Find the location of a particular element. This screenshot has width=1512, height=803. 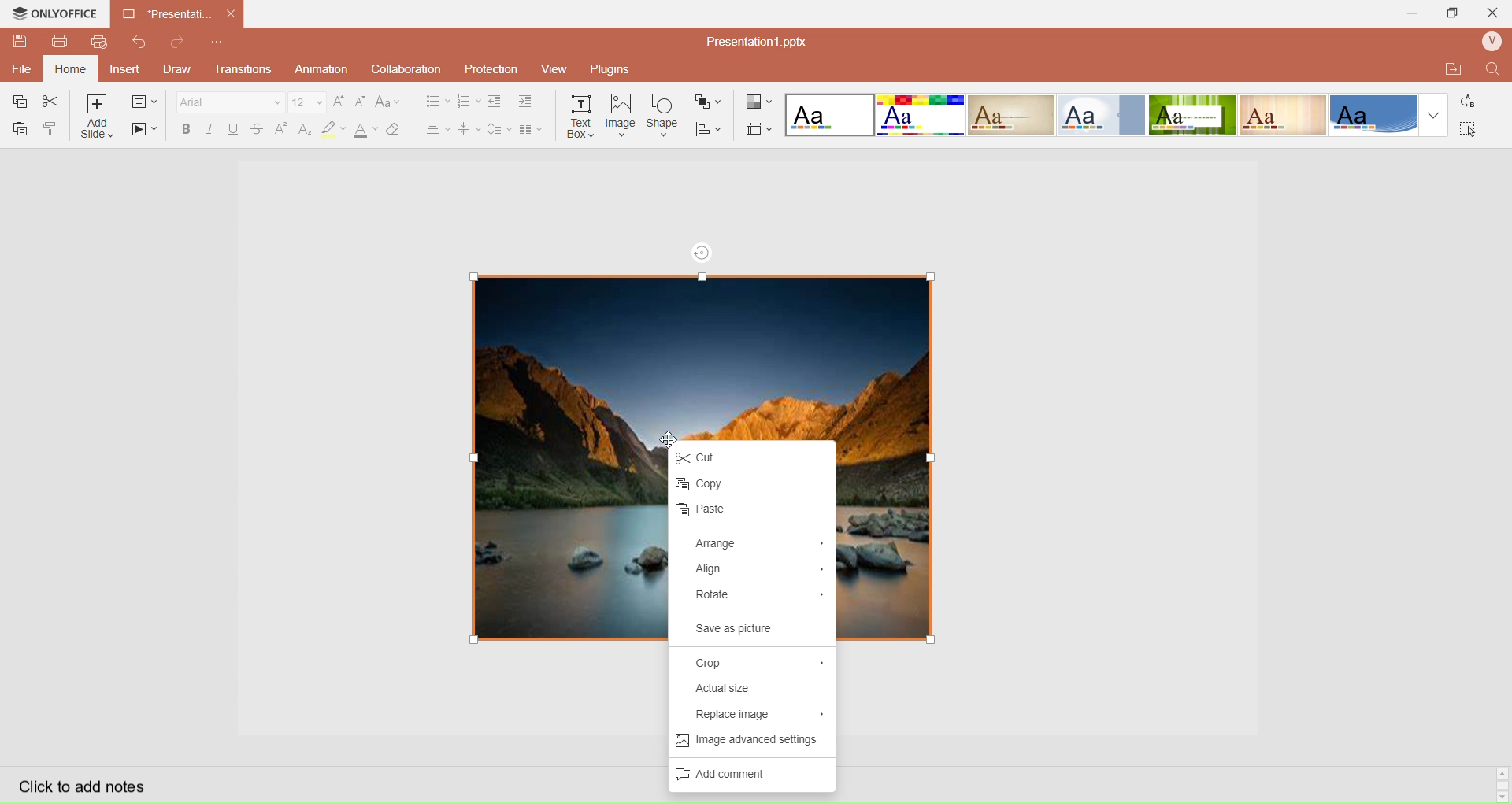

Open Quick File Location is located at coordinates (1454, 69).